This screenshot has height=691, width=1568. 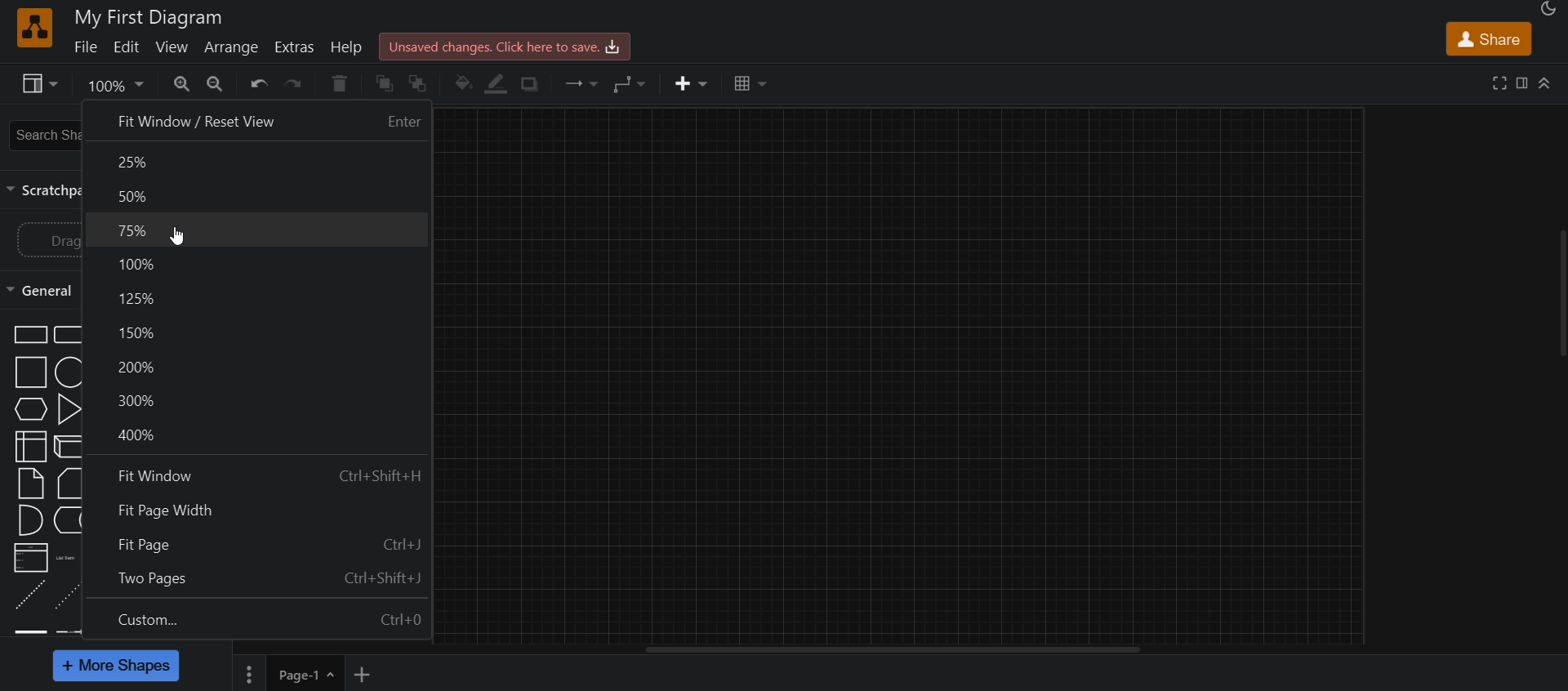 What do you see at coordinates (583, 83) in the screenshot?
I see `connection` at bounding box center [583, 83].